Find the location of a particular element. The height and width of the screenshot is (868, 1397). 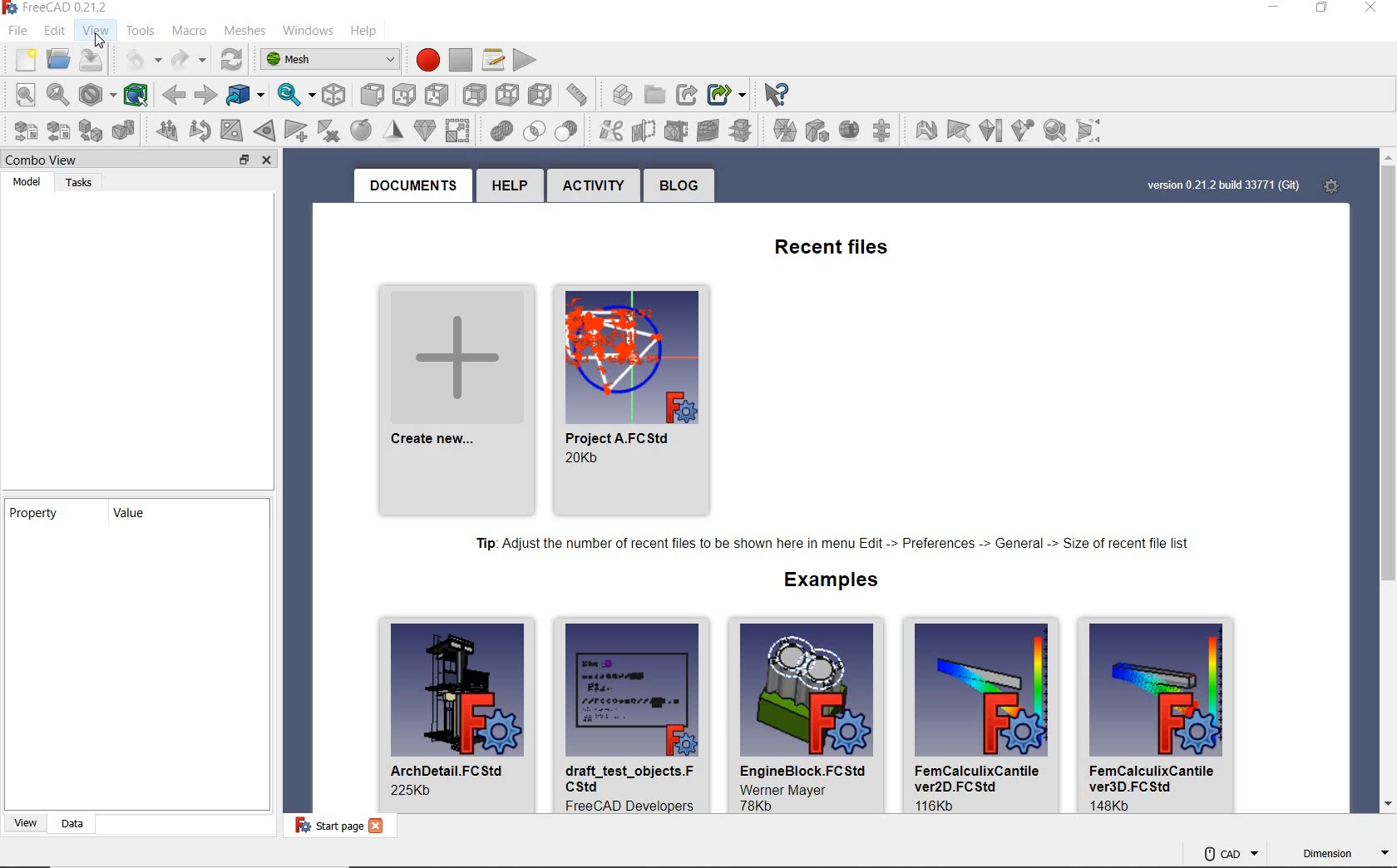

left is located at coordinates (507, 93).